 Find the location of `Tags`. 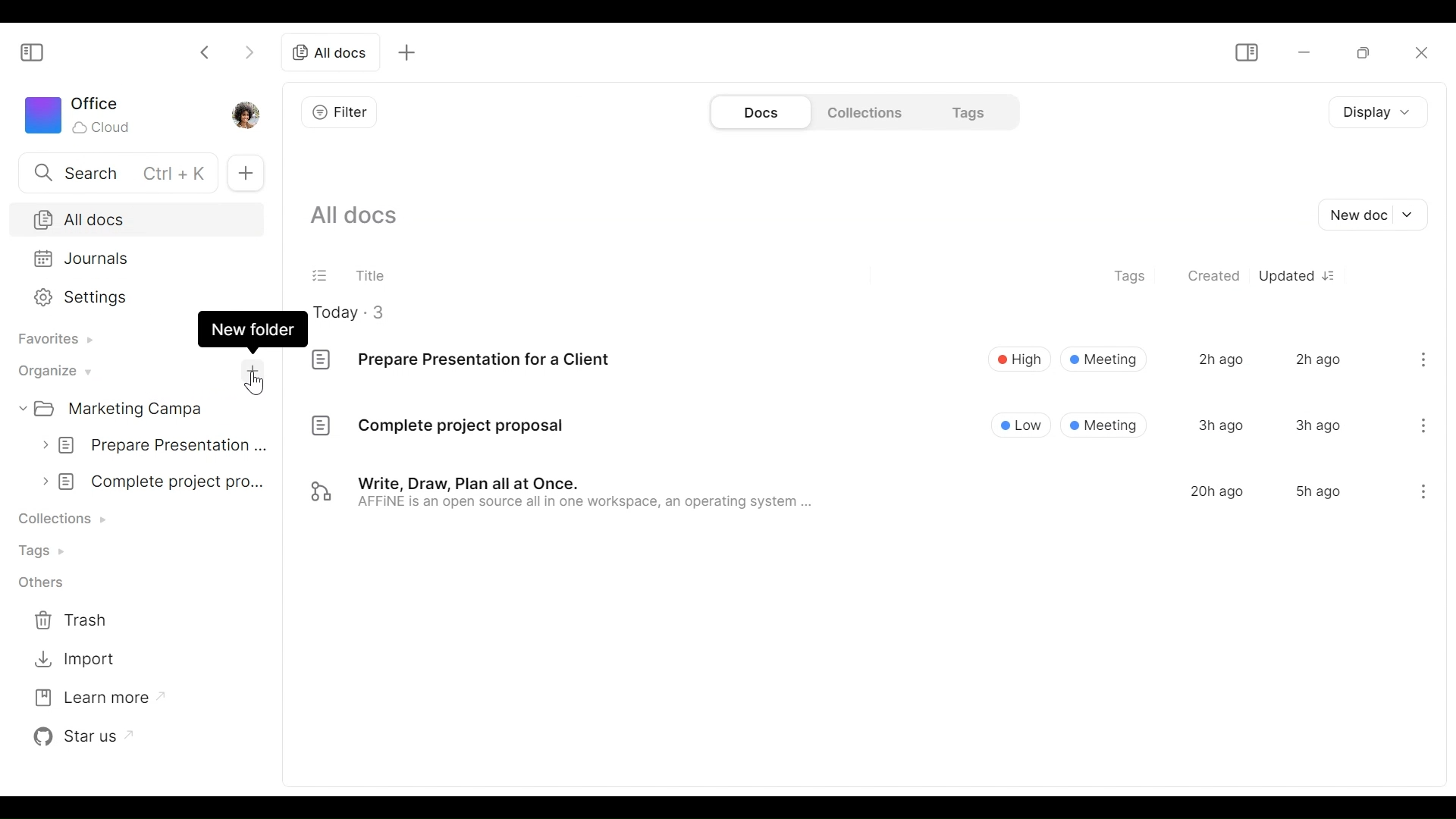

Tags is located at coordinates (965, 111).